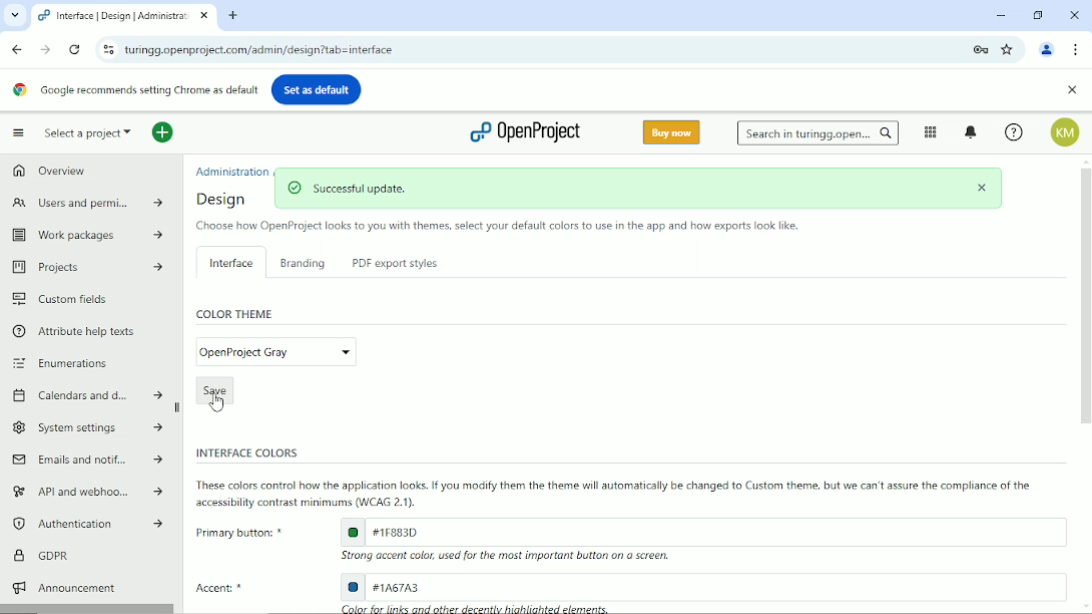 This screenshot has height=614, width=1092. What do you see at coordinates (236, 532) in the screenshot?
I see `Primary button` at bounding box center [236, 532].